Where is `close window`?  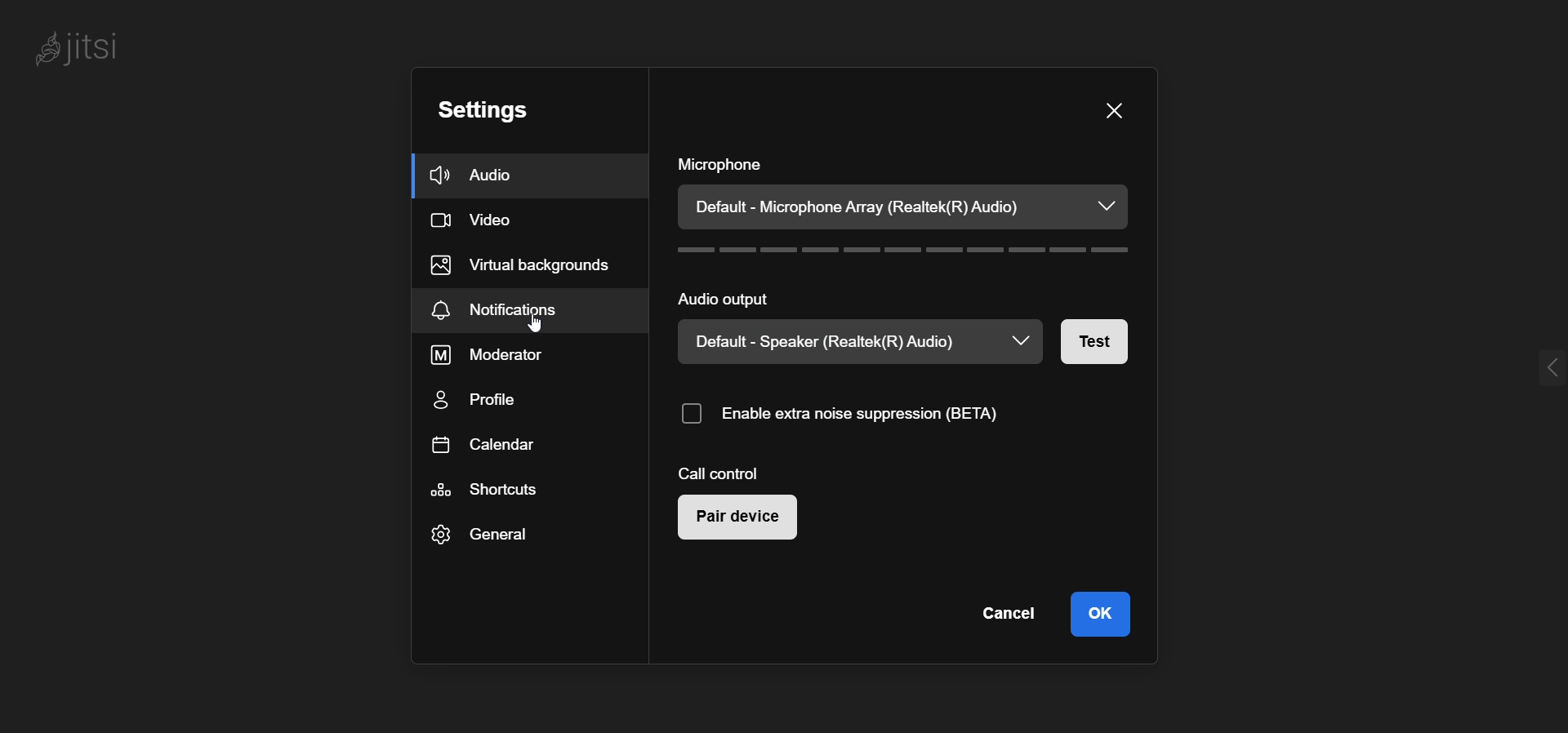 close window is located at coordinates (1112, 111).